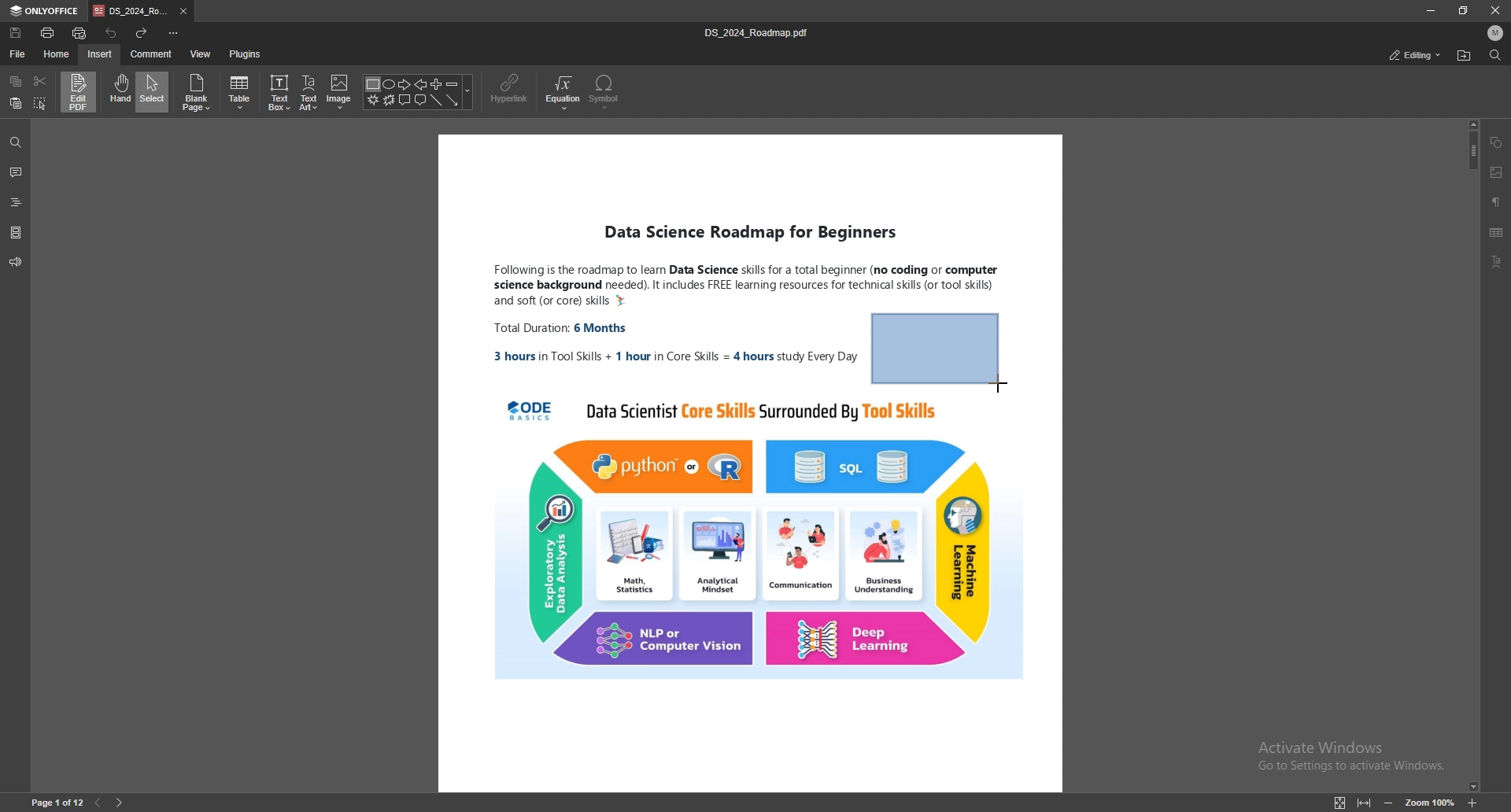 The height and width of the screenshot is (812, 1511). I want to click on symbol, so click(605, 92).